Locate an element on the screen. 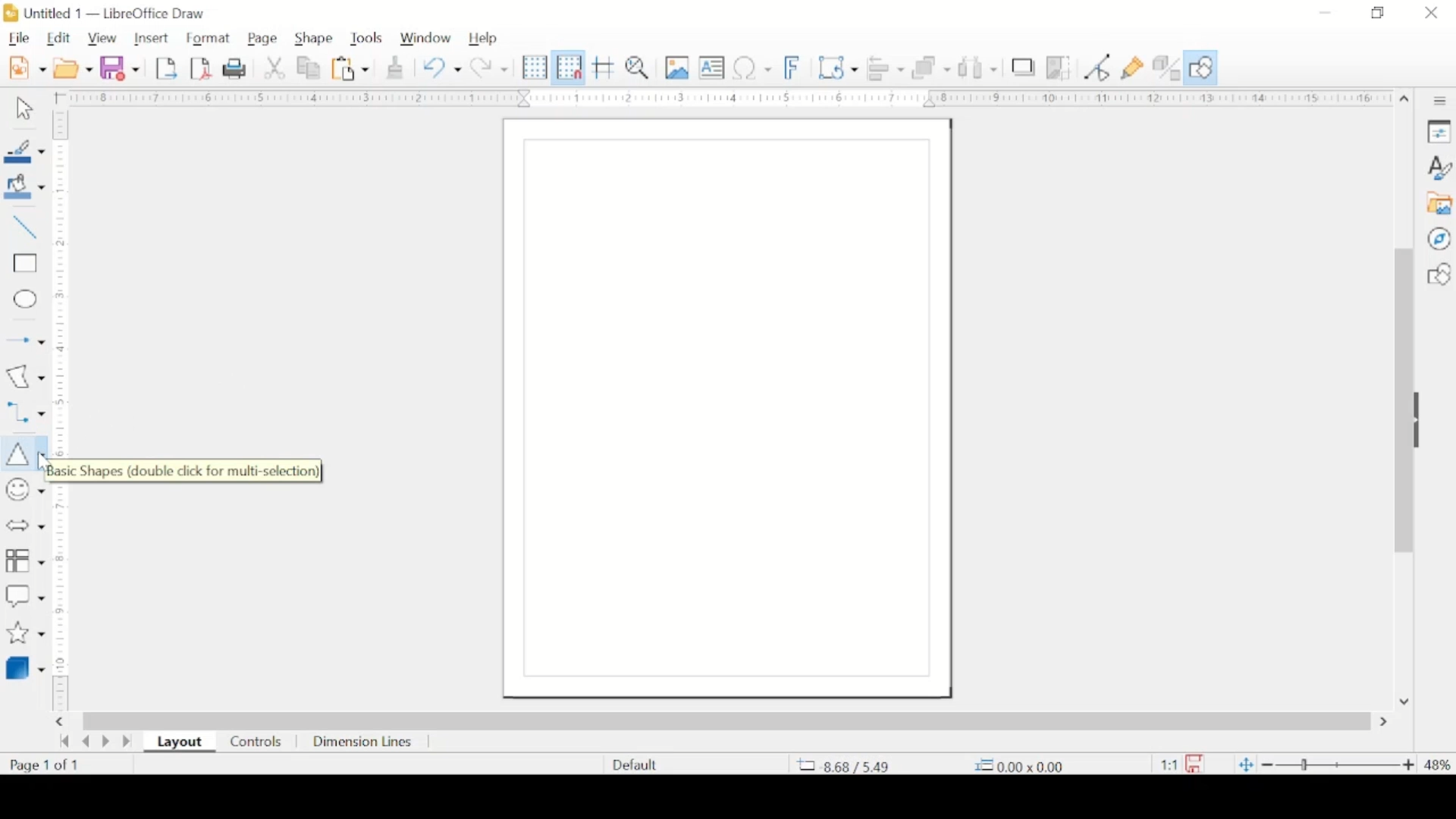  undo is located at coordinates (442, 68).